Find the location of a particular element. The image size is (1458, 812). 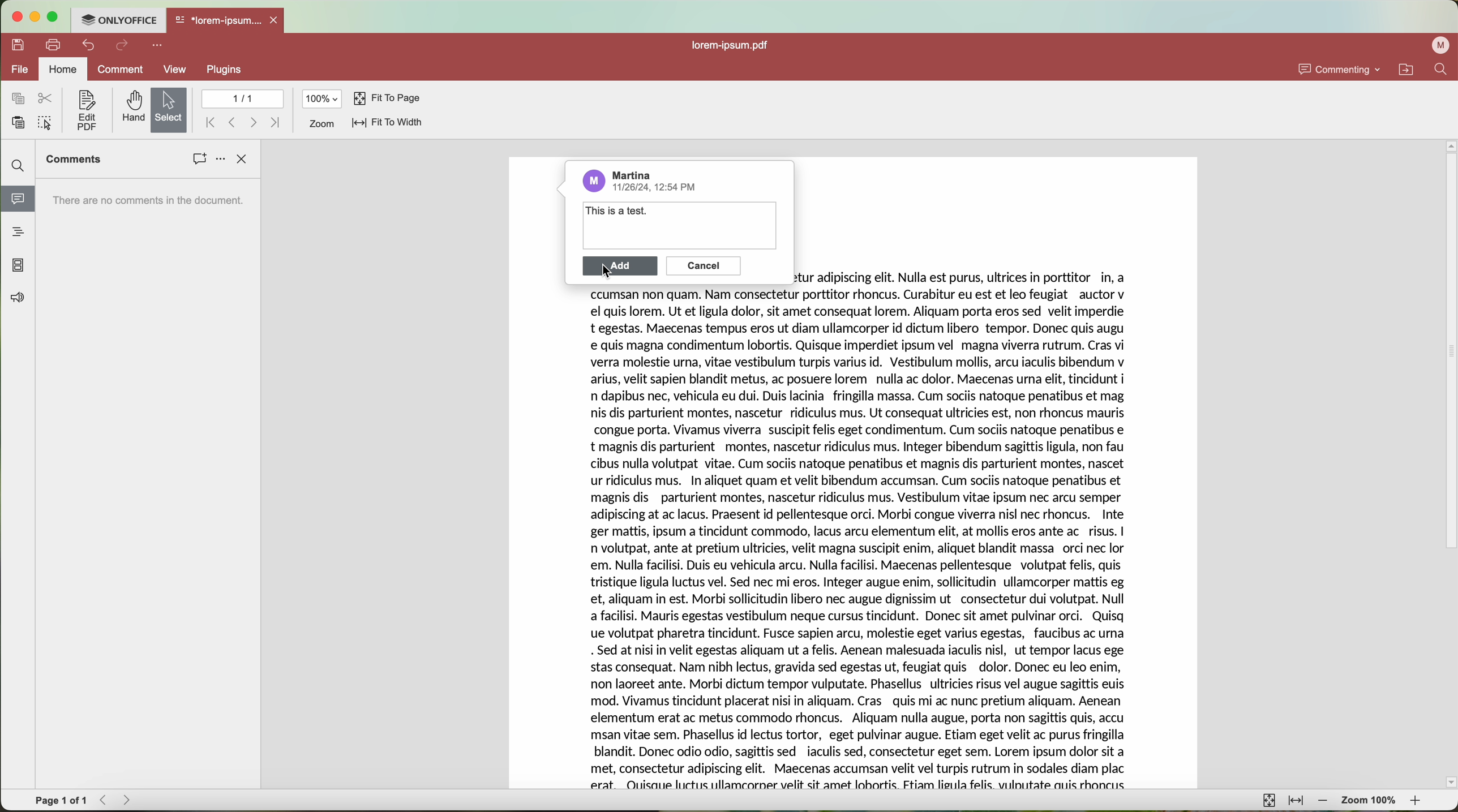

cancel button is located at coordinates (702, 266).